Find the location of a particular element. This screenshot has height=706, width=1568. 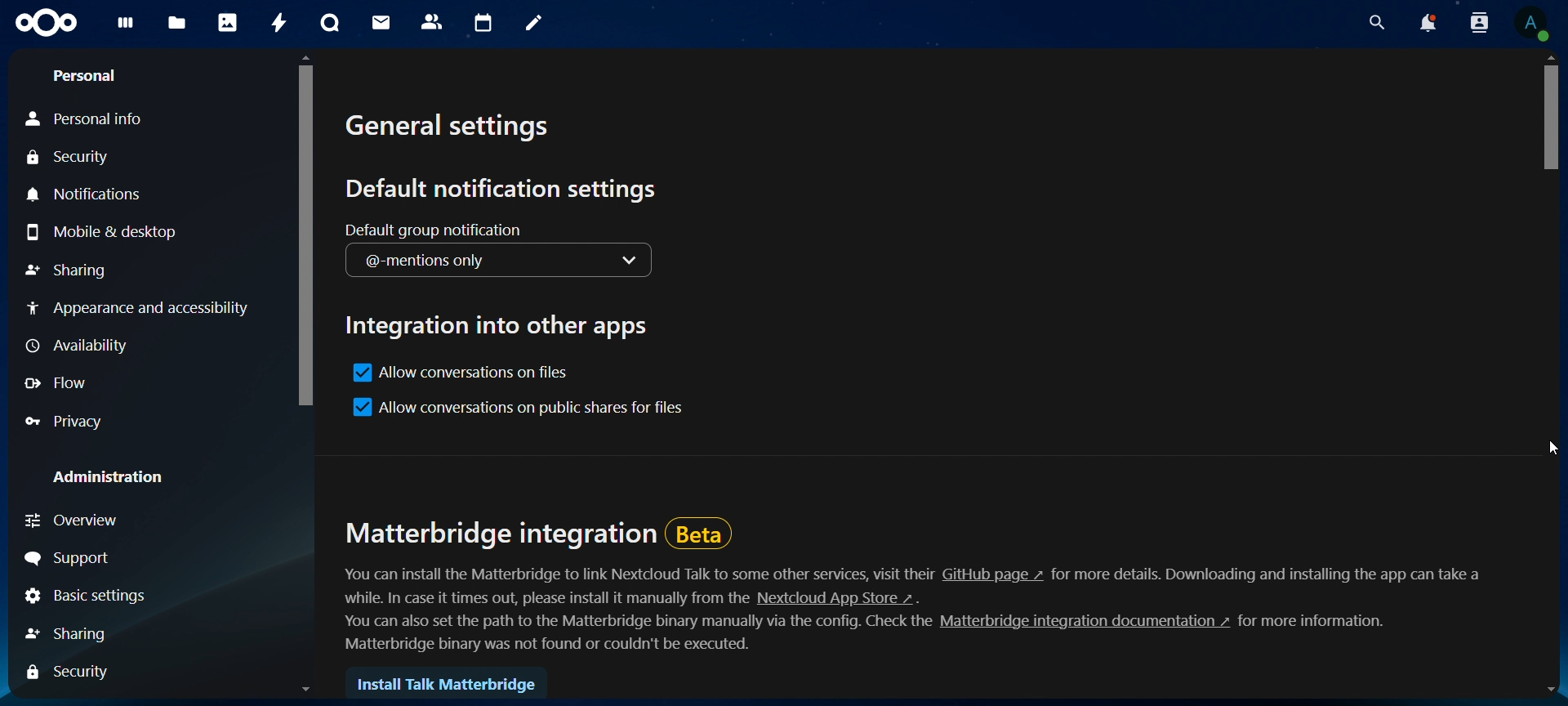

personal is located at coordinates (87, 75).